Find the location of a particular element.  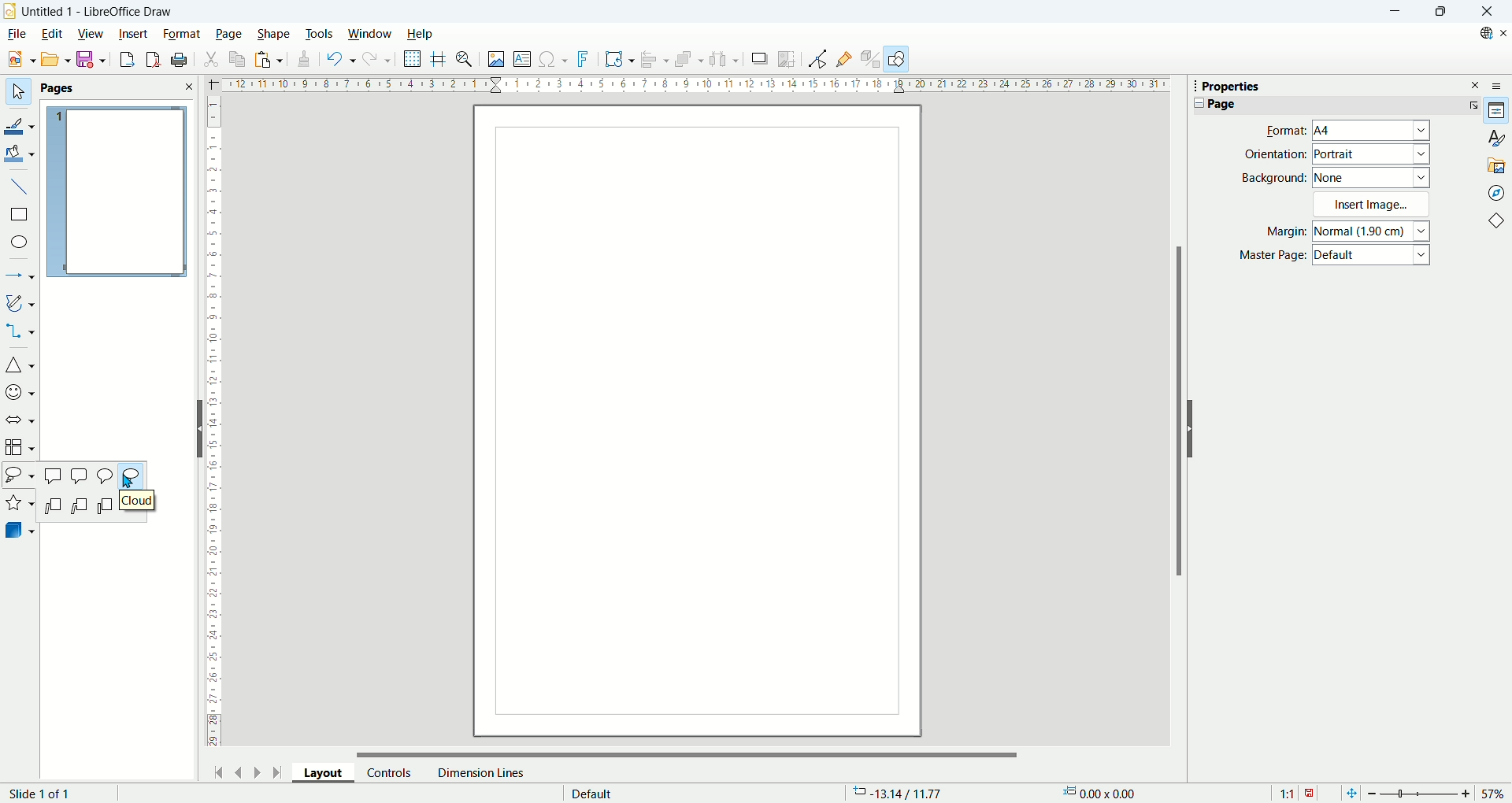

previous page is located at coordinates (240, 771).